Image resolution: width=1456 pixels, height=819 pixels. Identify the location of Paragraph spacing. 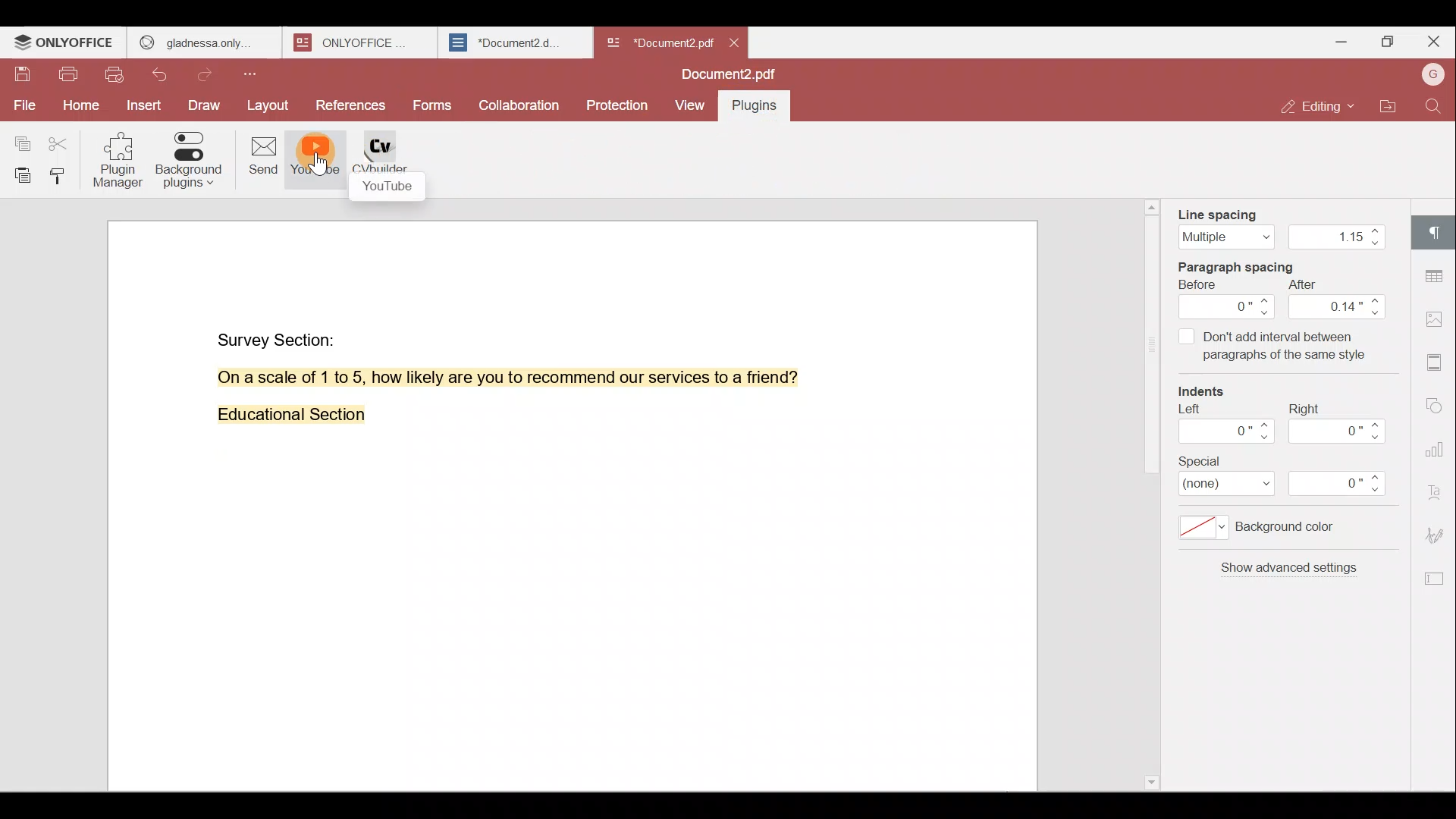
(1250, 265).